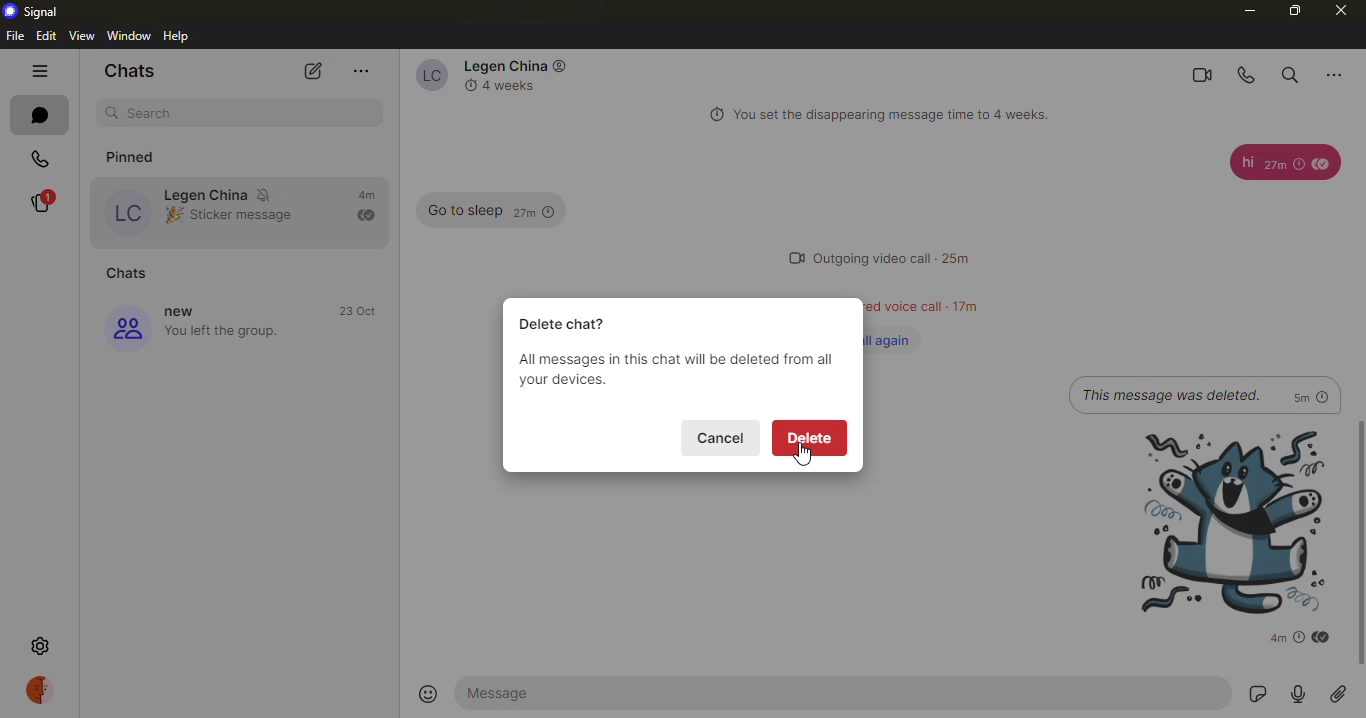 The width and height of the screenshot is (1366, 718). What do you see at coordinates (227, 332) in the screenshot?
I see `You left the group` at bounding box center [227, 332].